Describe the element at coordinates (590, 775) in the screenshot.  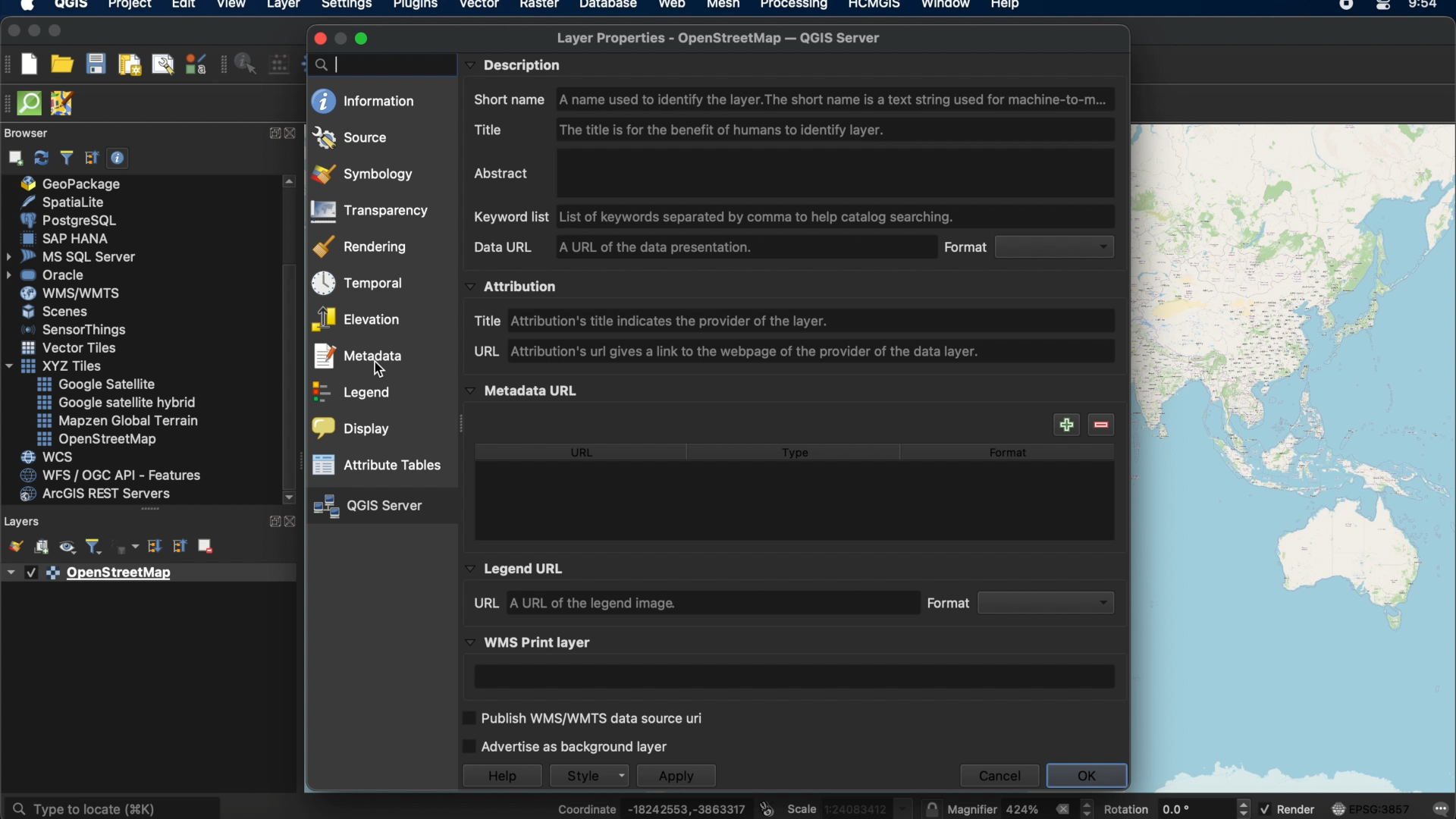
I see `style` at that location.